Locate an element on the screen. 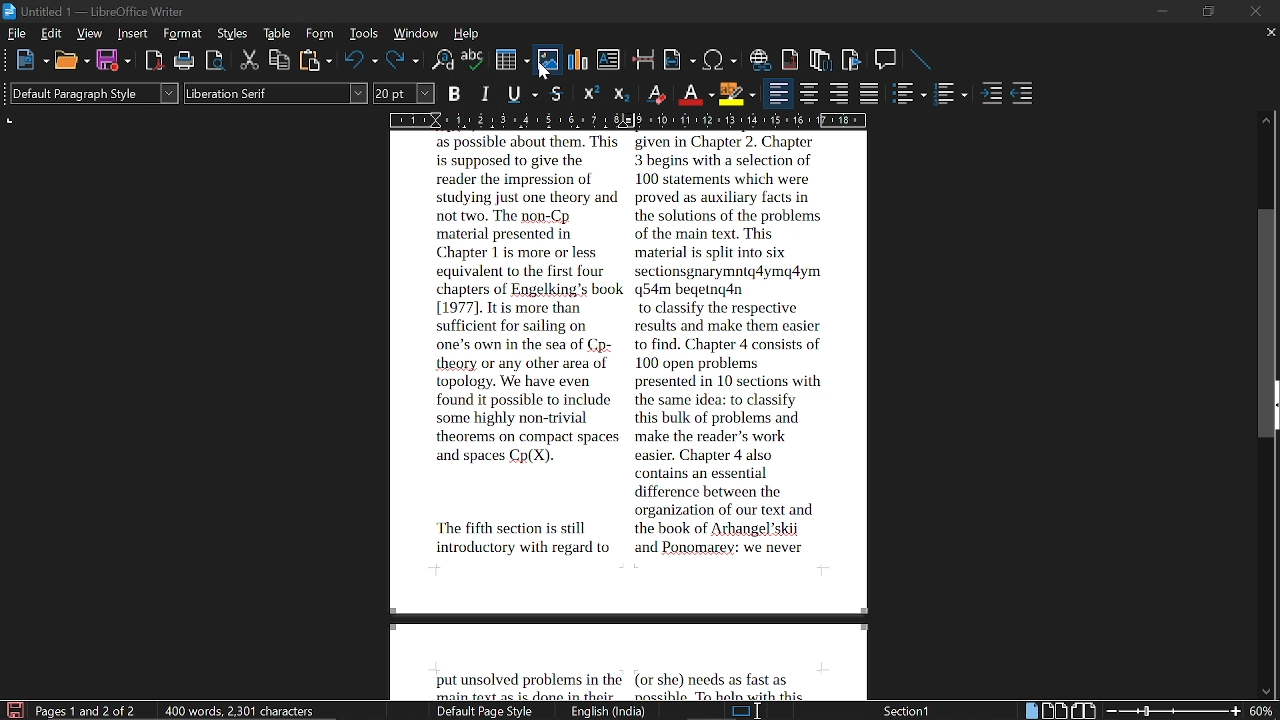 This screenshot has height=720, width=1280. insert table is located at coordinates (510, 59).